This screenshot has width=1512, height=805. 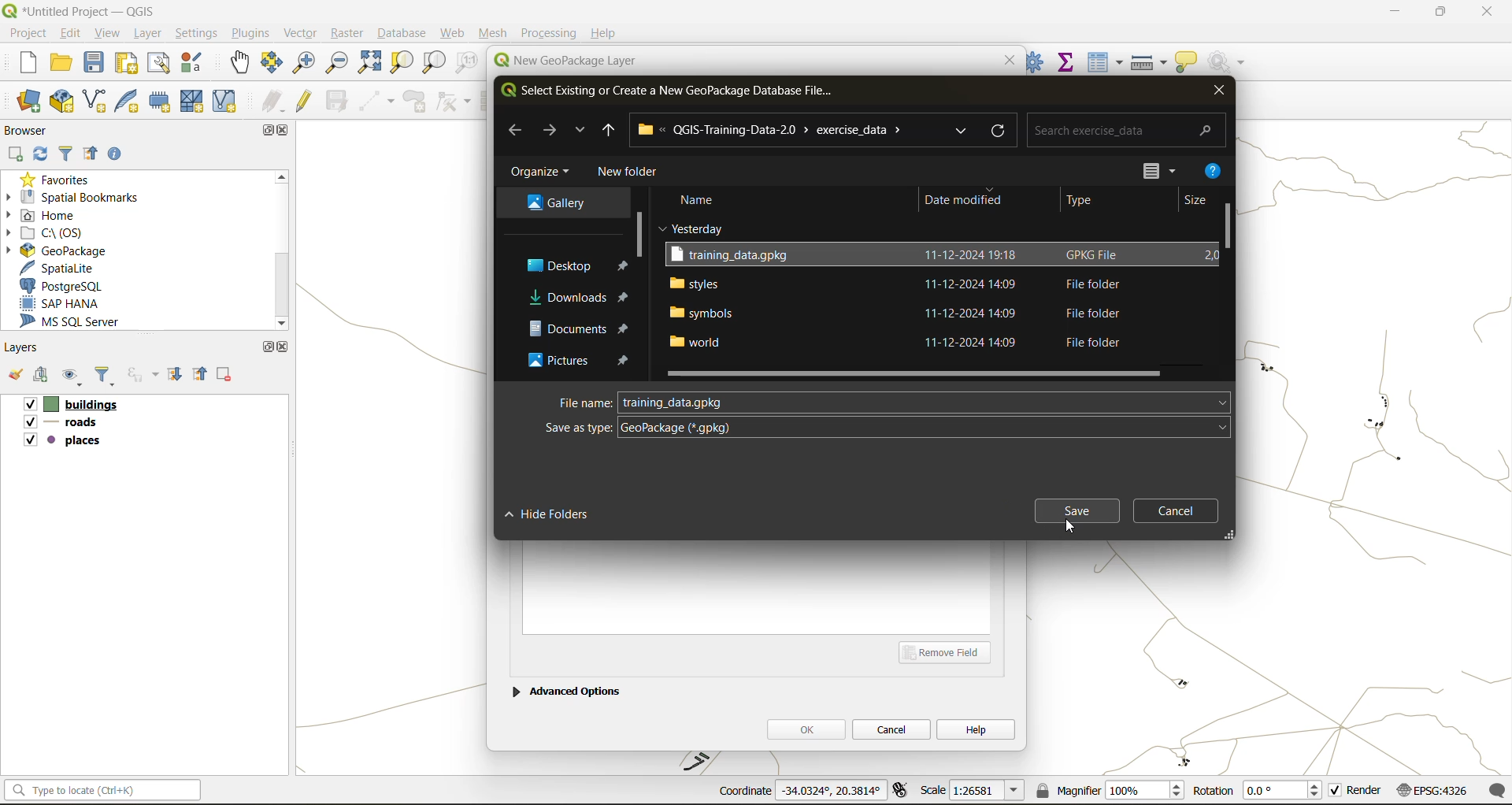 What do you see at coordinates (559, 329) in the screenshot?
I see `Documents` at bounding box center [559, 329].